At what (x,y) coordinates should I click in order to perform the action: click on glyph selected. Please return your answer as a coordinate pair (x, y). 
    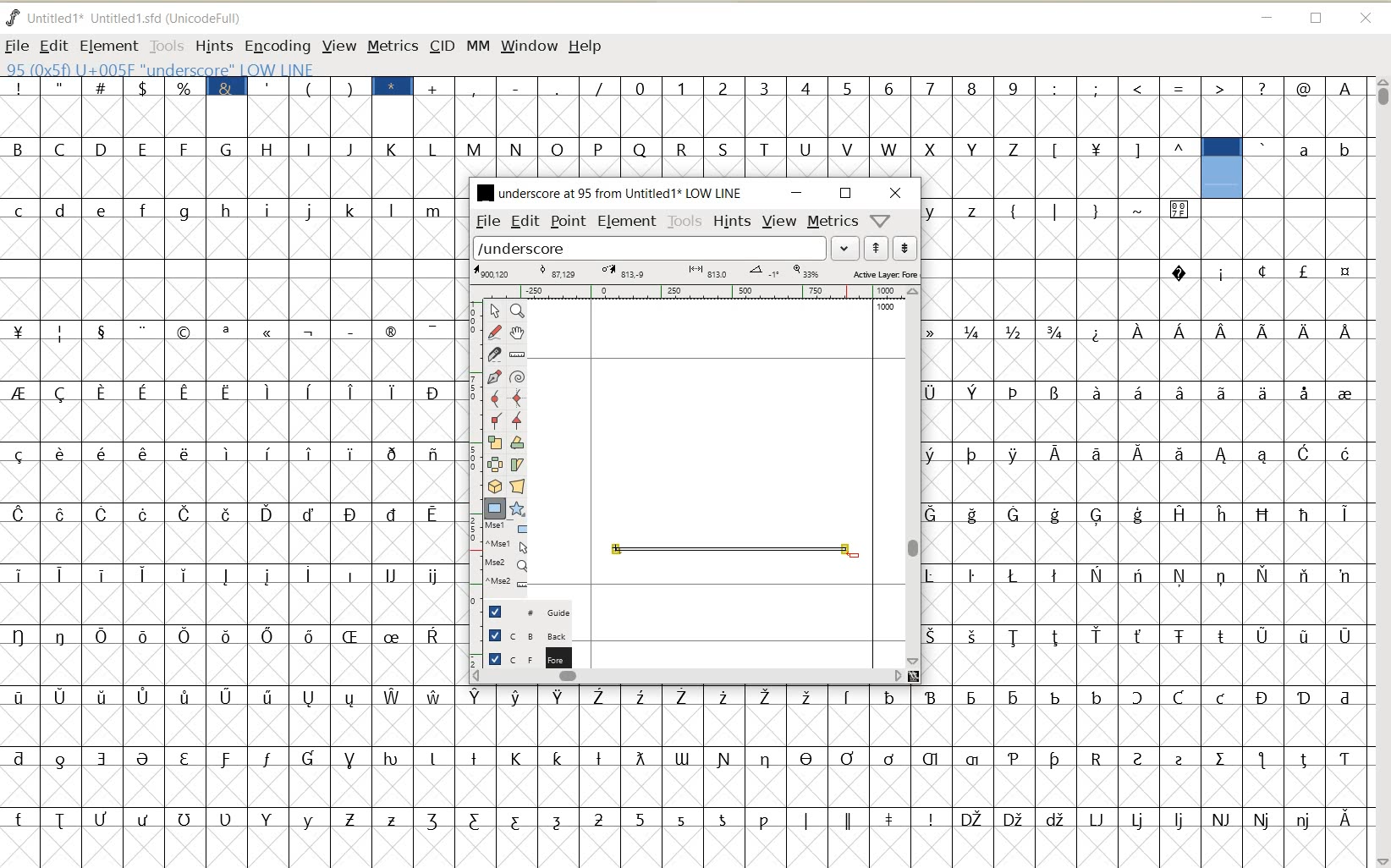
    Looking at the image, I should click on (1222, 168).